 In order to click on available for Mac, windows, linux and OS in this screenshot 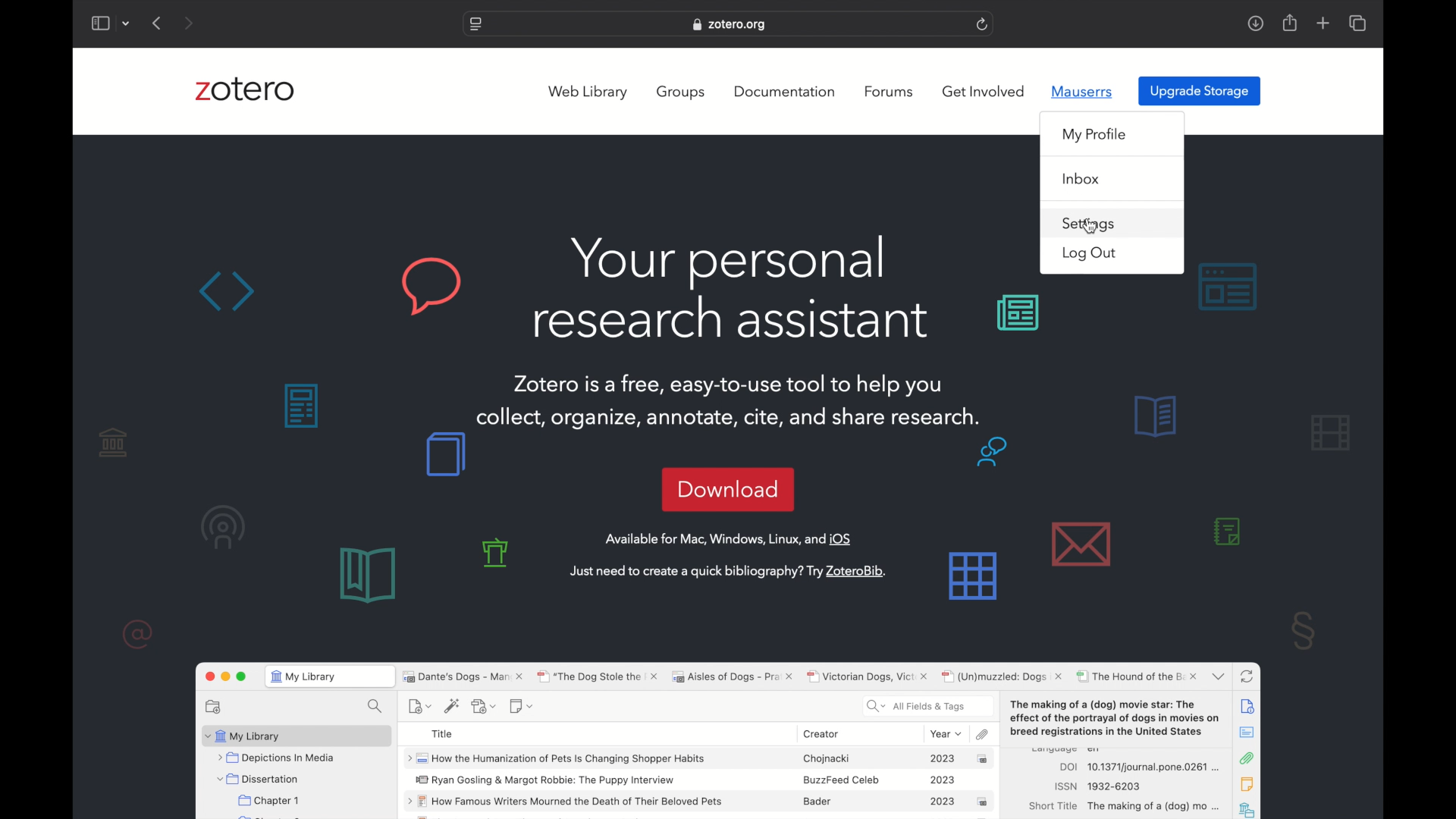, I will do `click(729, 539)`.